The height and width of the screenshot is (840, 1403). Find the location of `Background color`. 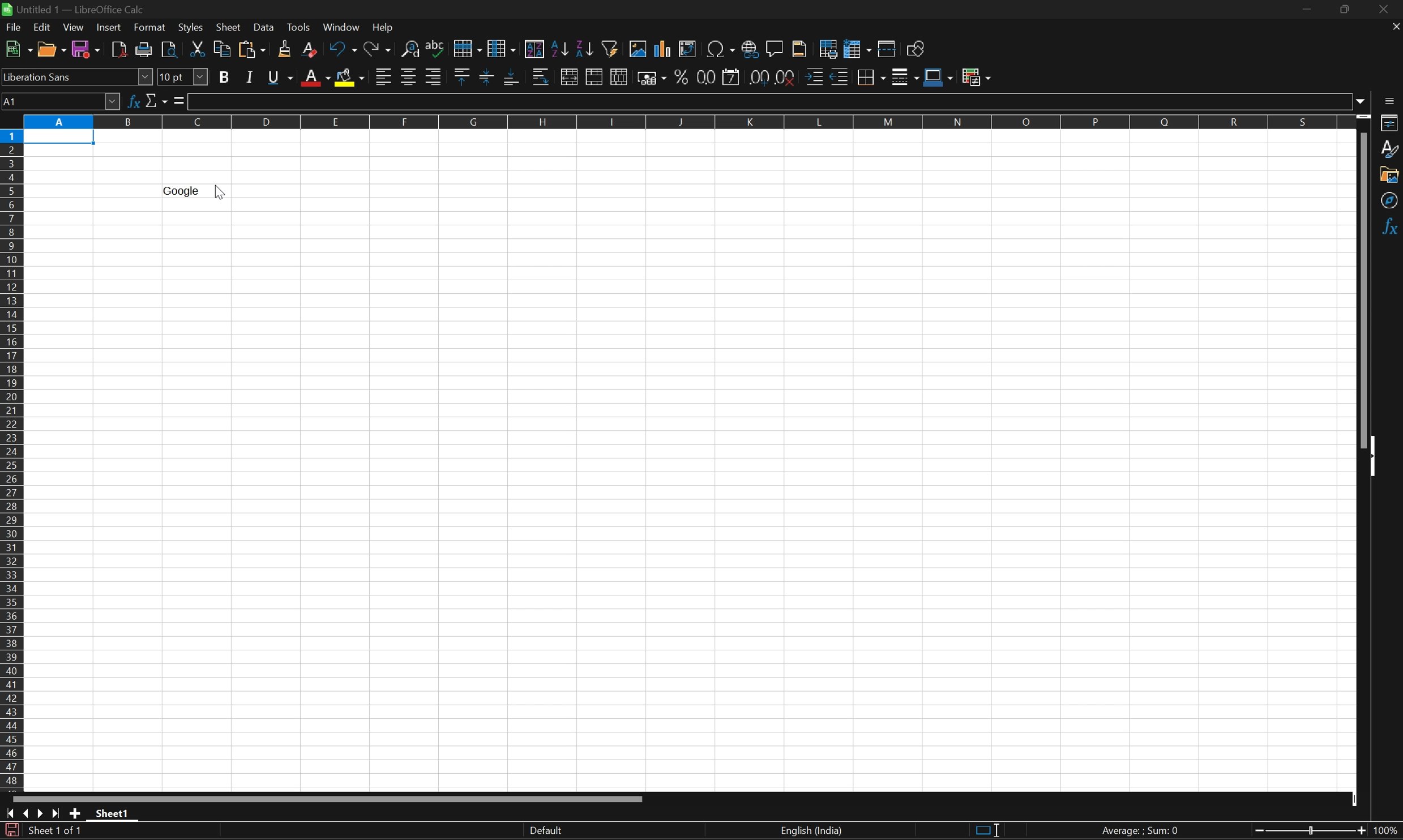

Background color is located at coordinates (351, 77).